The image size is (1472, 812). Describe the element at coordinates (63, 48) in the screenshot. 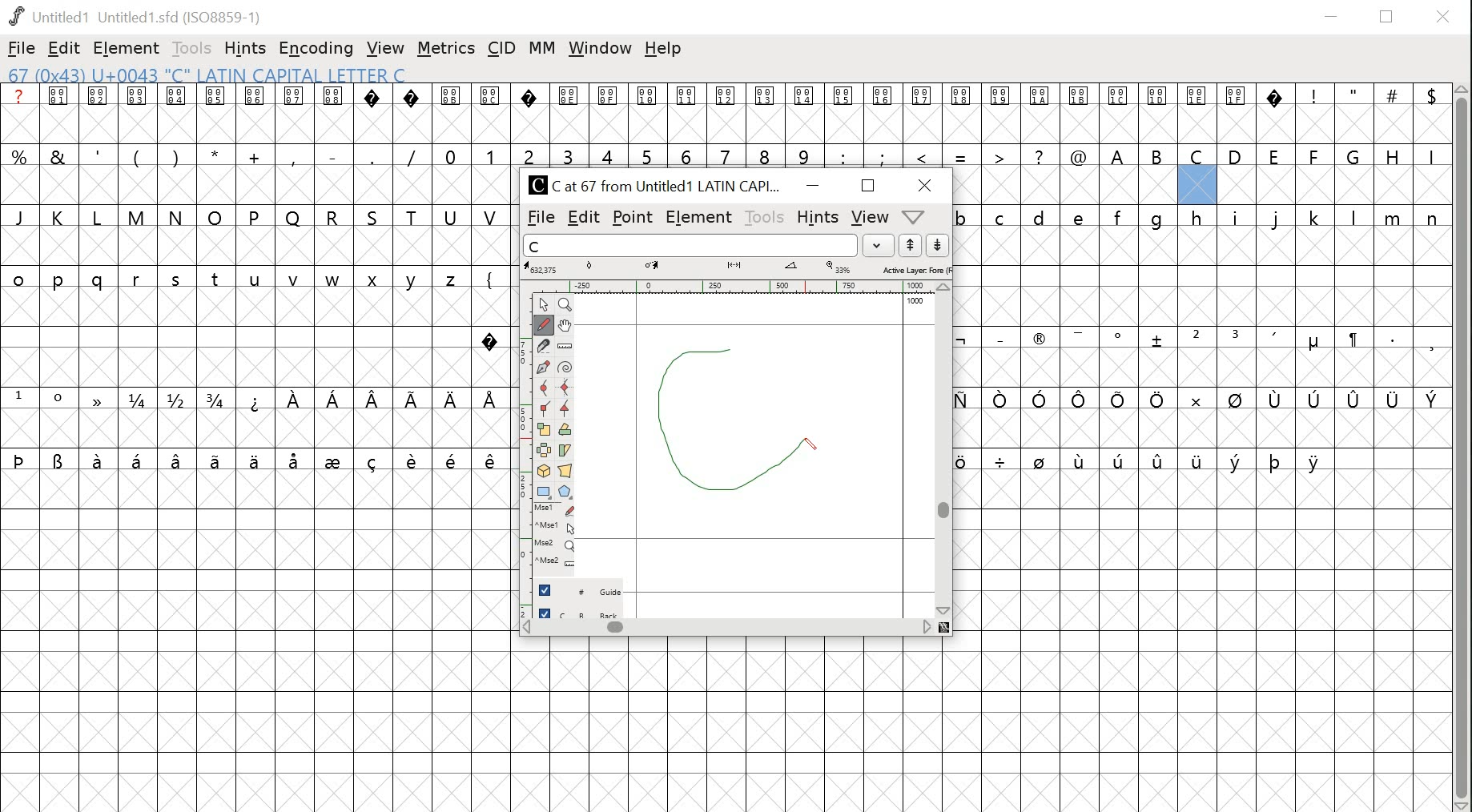

I see `edit` at that location.